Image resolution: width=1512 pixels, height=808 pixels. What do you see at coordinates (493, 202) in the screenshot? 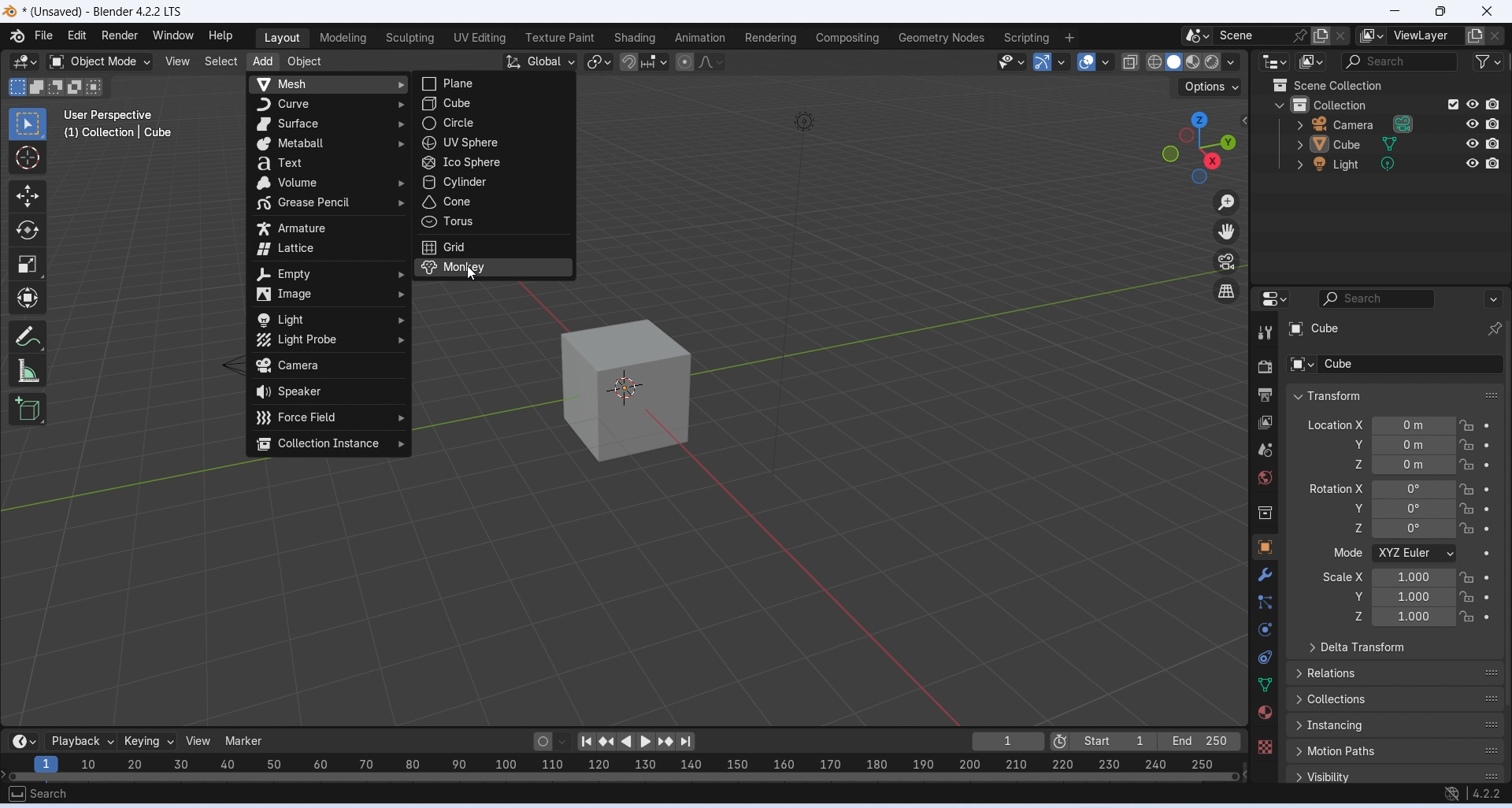
I see `cone` at bounding box center [493, 202].